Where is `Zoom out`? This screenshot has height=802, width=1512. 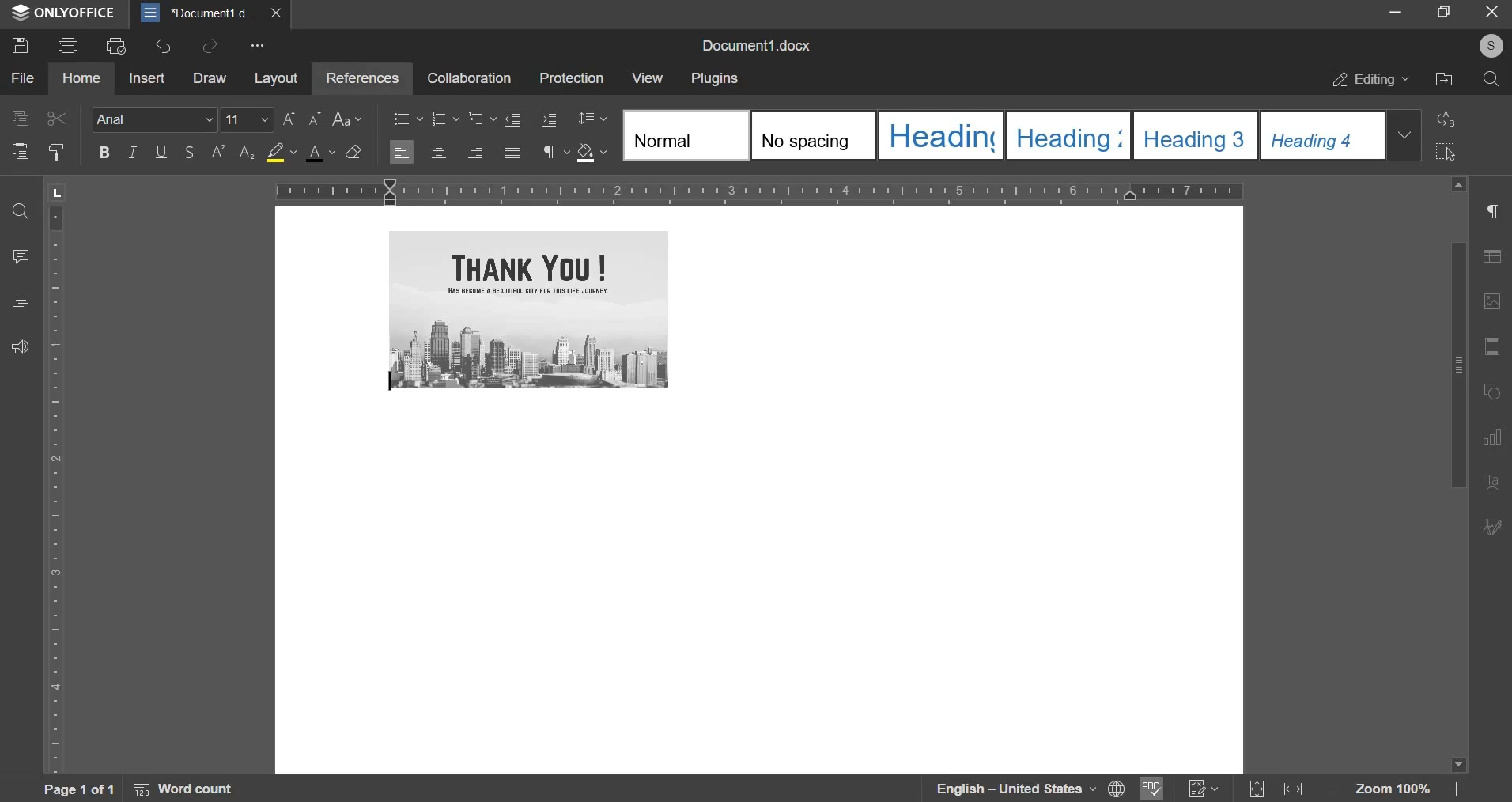 Zoom out is located at coordinates (1334, 793).